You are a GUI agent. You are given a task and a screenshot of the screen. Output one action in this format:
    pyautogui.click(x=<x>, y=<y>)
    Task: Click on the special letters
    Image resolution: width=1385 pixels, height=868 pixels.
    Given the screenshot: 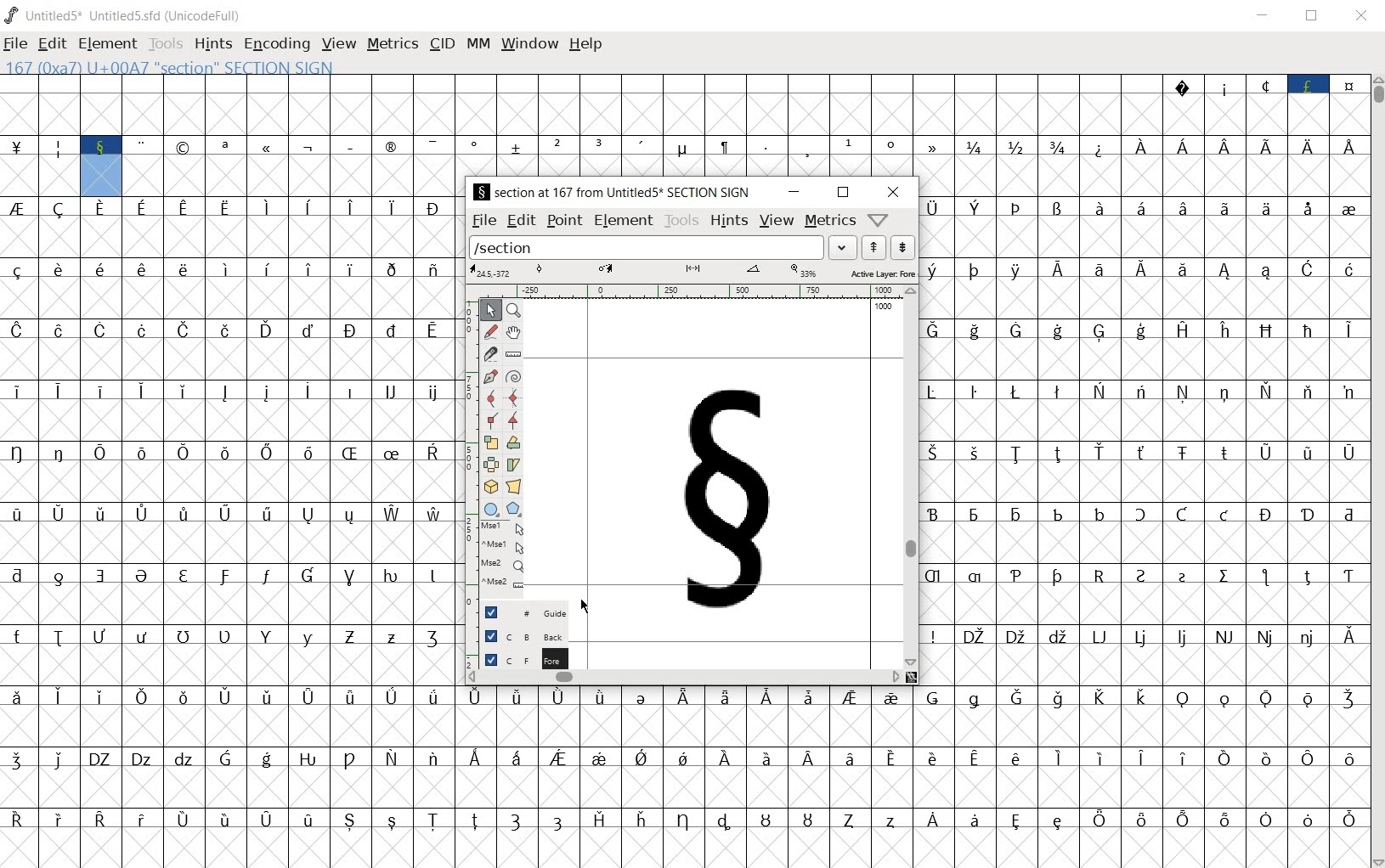 What is the action you would take?
    pyautogui.click(x=235, y=206)
    